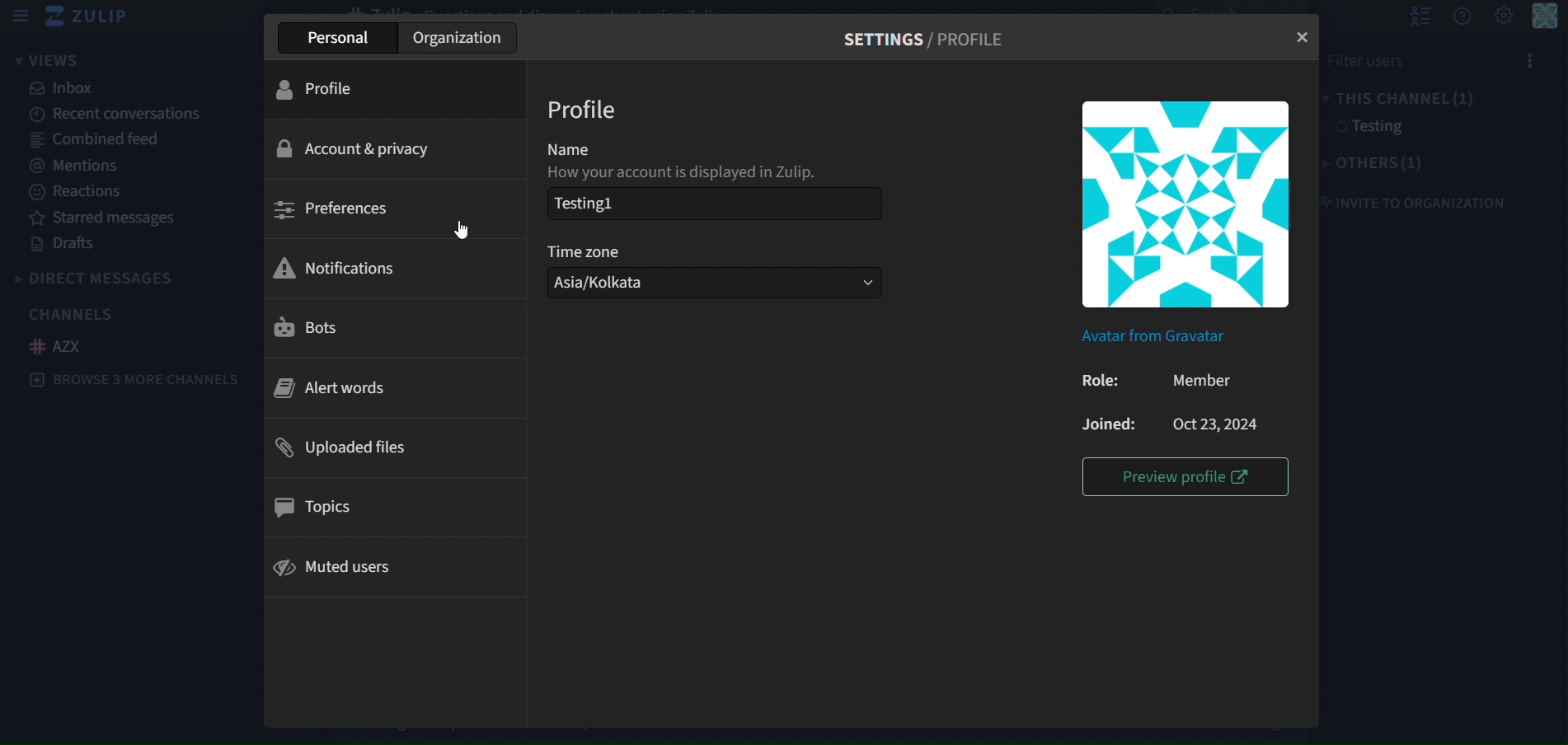 The height and width of the screenshot is (745, 1568). I want to click on timezone, so click(615, 255).